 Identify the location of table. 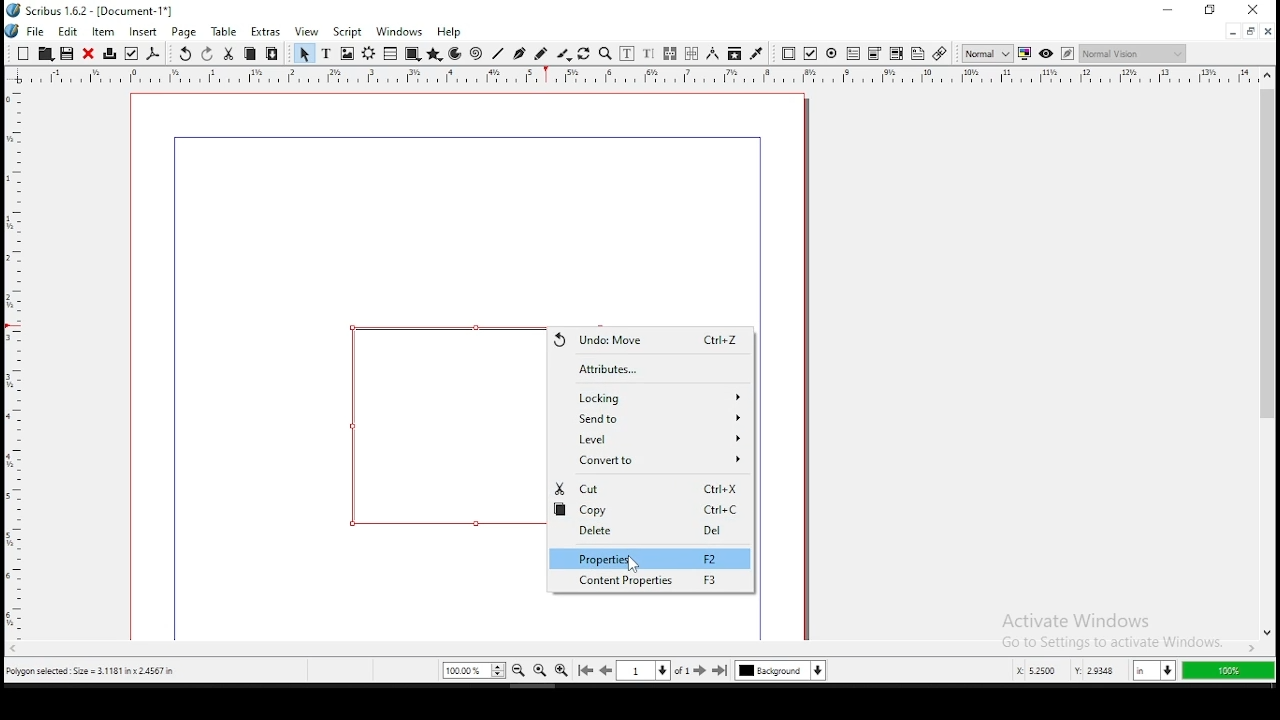
(390, 53).